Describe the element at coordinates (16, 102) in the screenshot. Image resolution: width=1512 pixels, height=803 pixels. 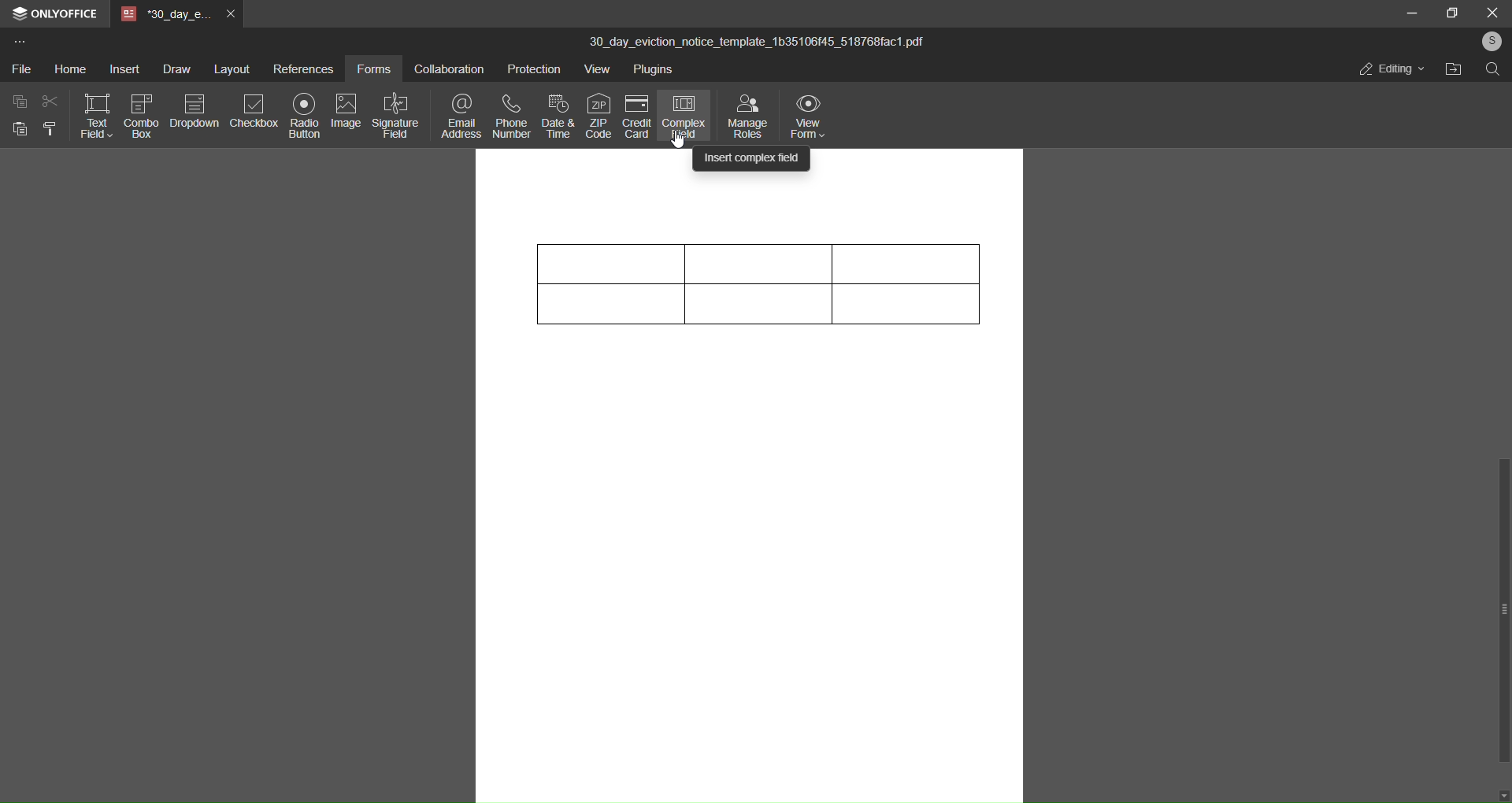
I see `copy` at that location.